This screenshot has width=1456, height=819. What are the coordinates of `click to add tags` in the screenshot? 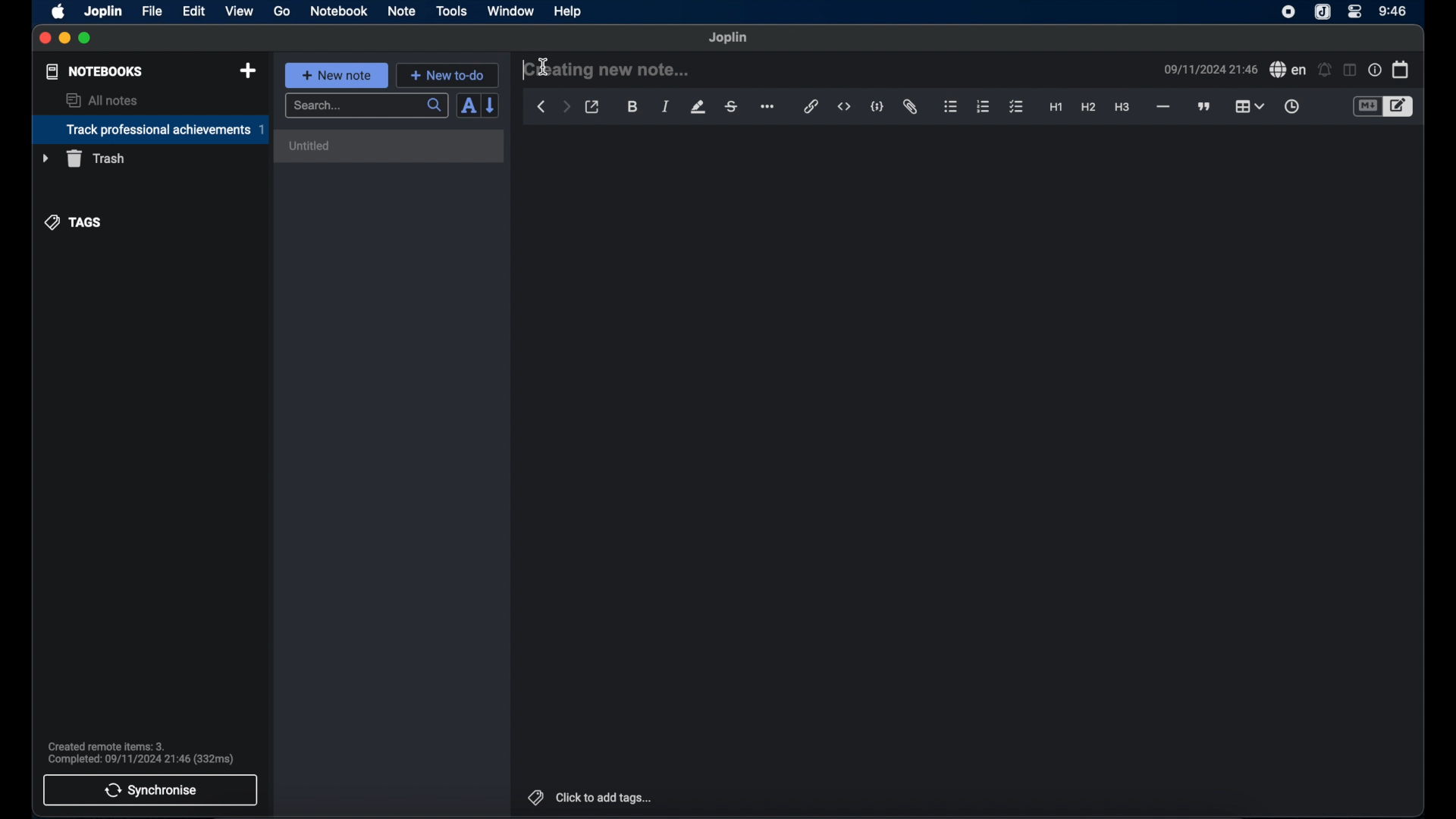 It's located at (588, 797).